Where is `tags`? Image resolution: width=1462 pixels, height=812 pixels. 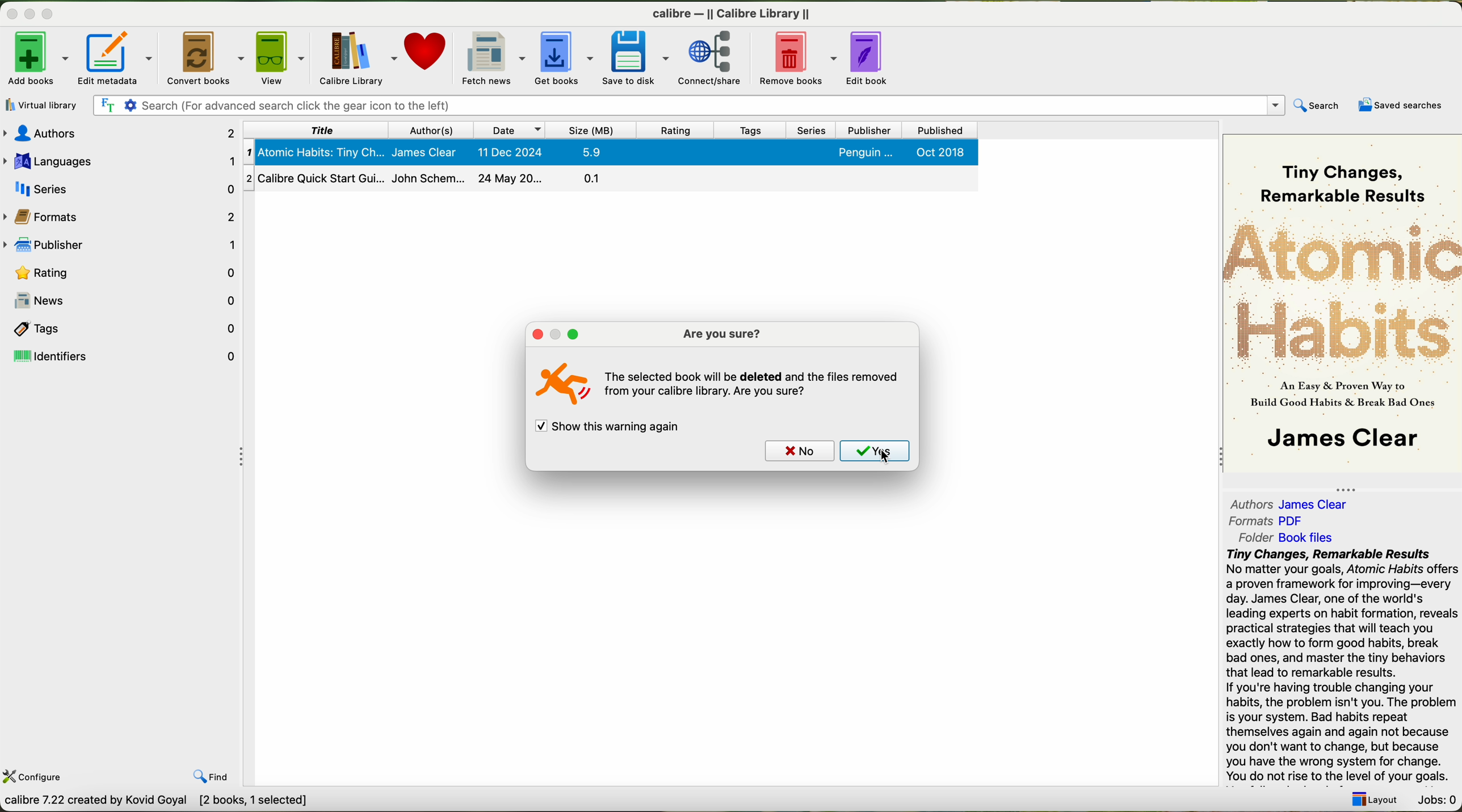
tags is located at coordinates (748, 130).